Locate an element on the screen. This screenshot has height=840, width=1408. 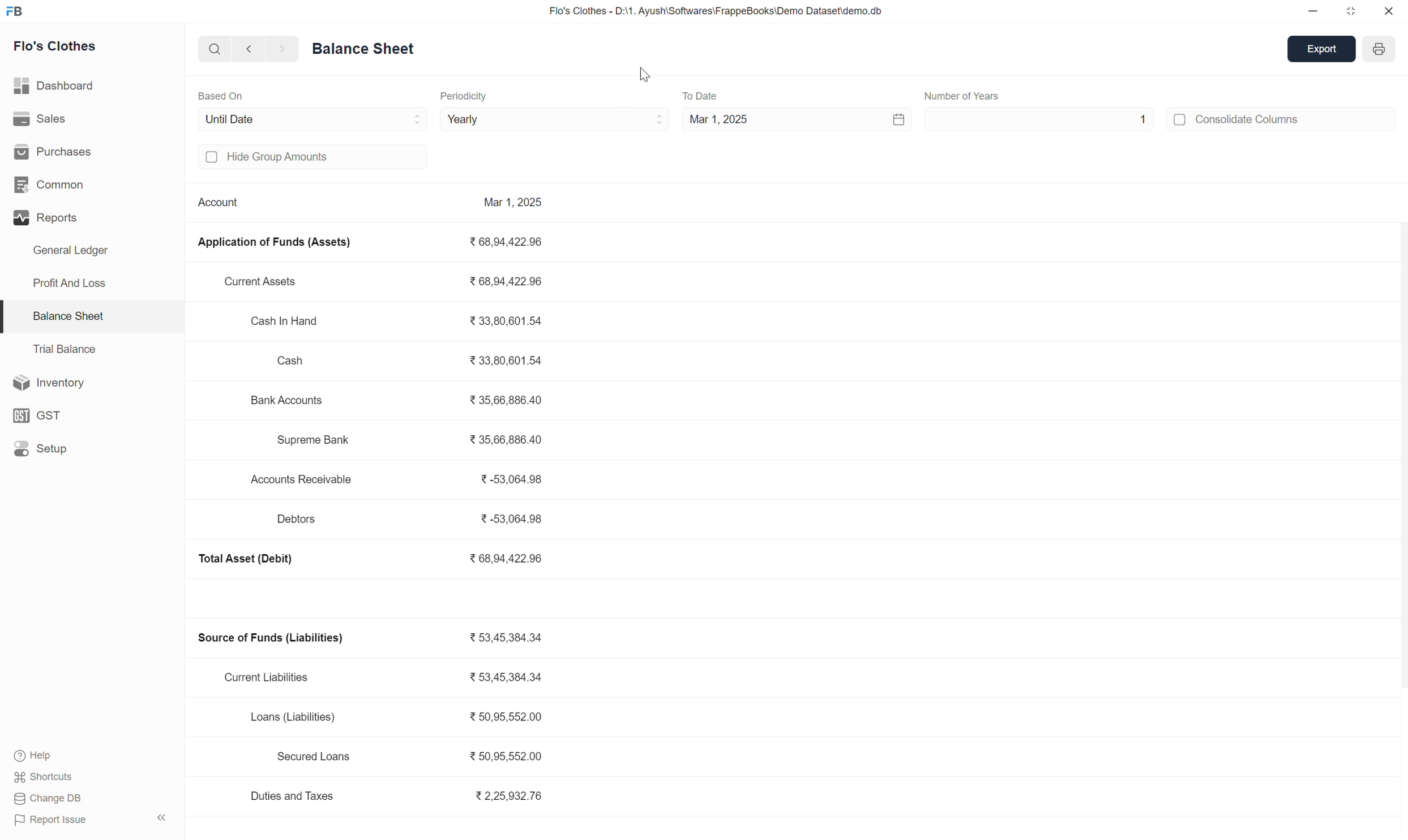
Accounts Receivable is located at coordinates (305, 401).